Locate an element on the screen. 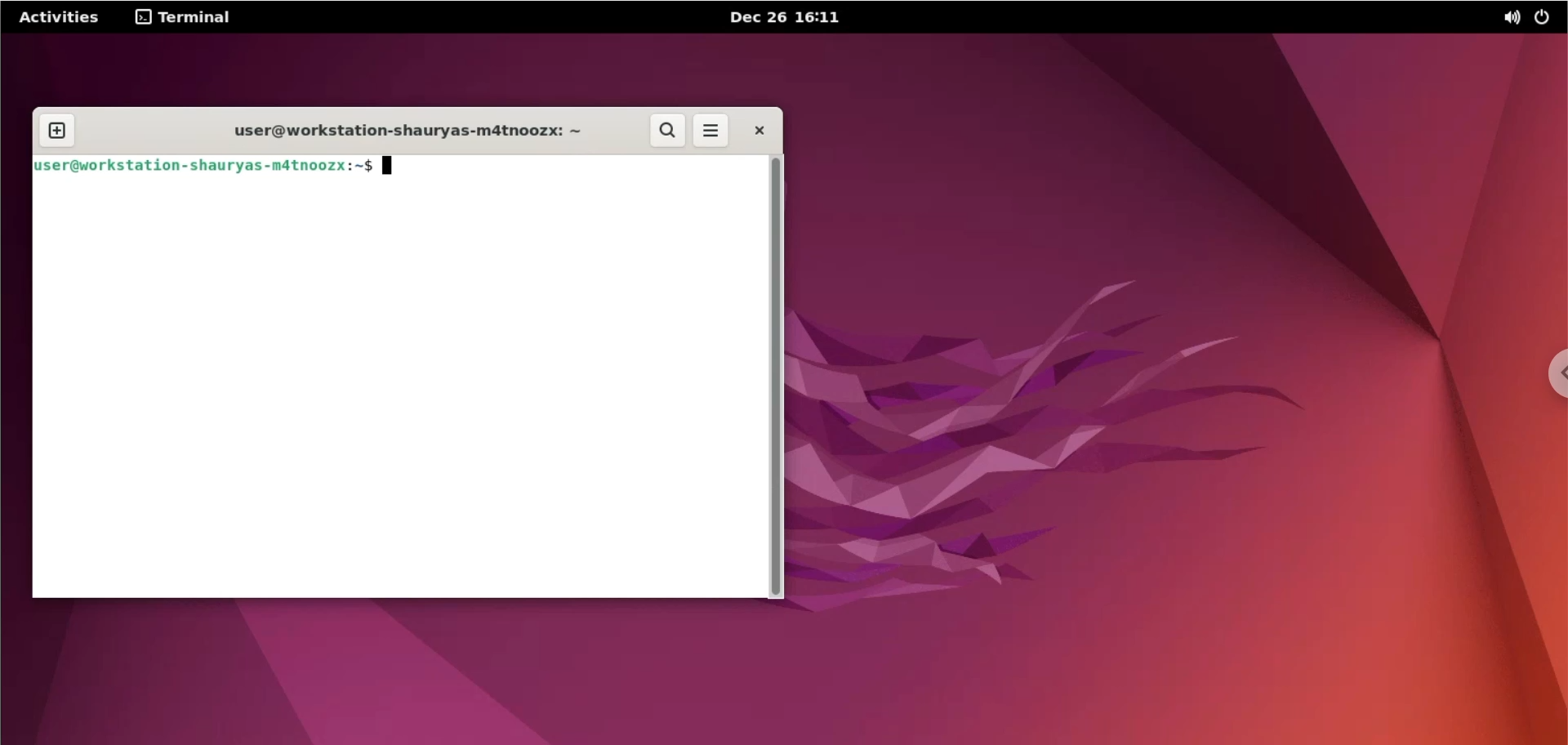 The image size is (1568, 745). Activities is located at coordinates (60, 17).